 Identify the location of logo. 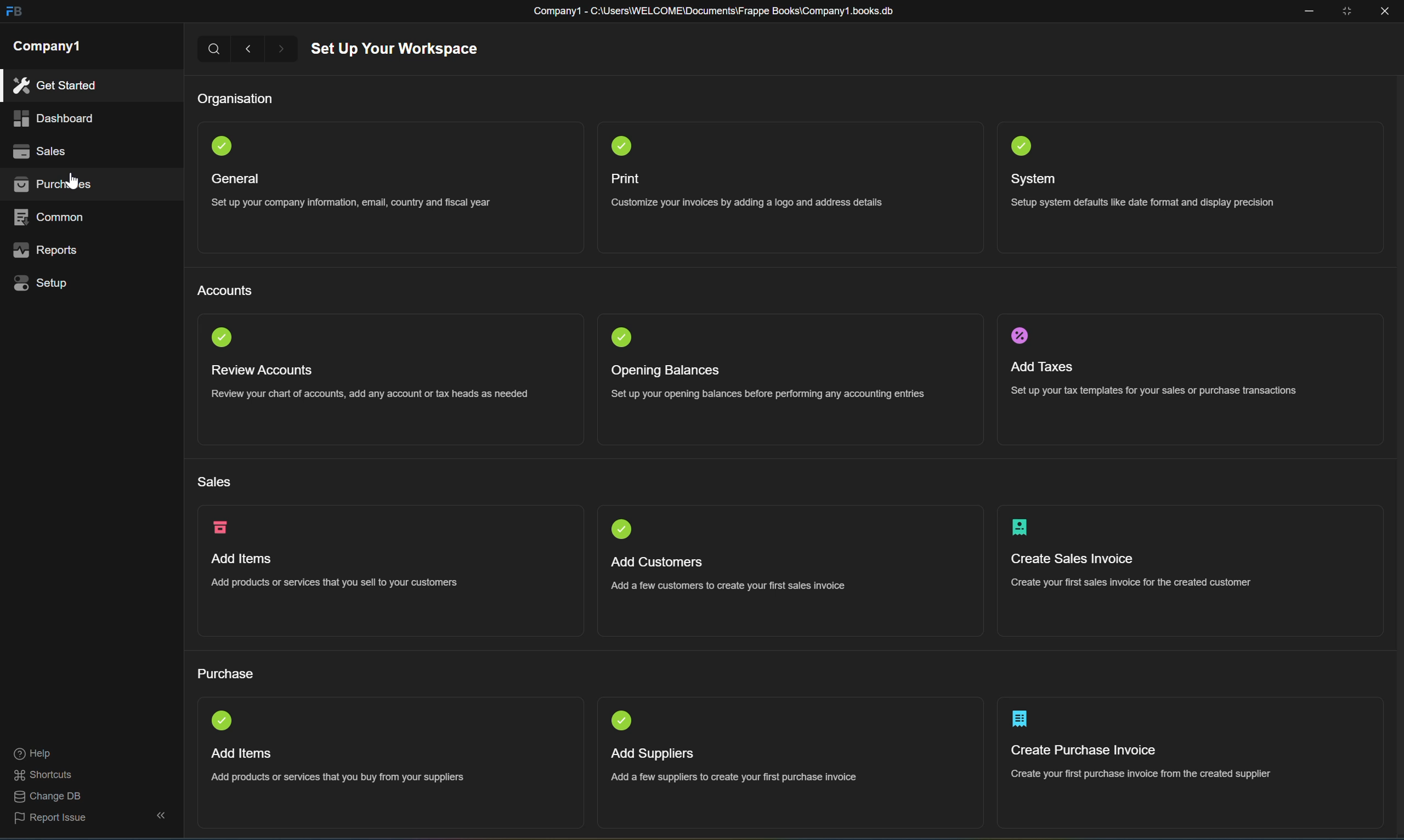
(625, 529).